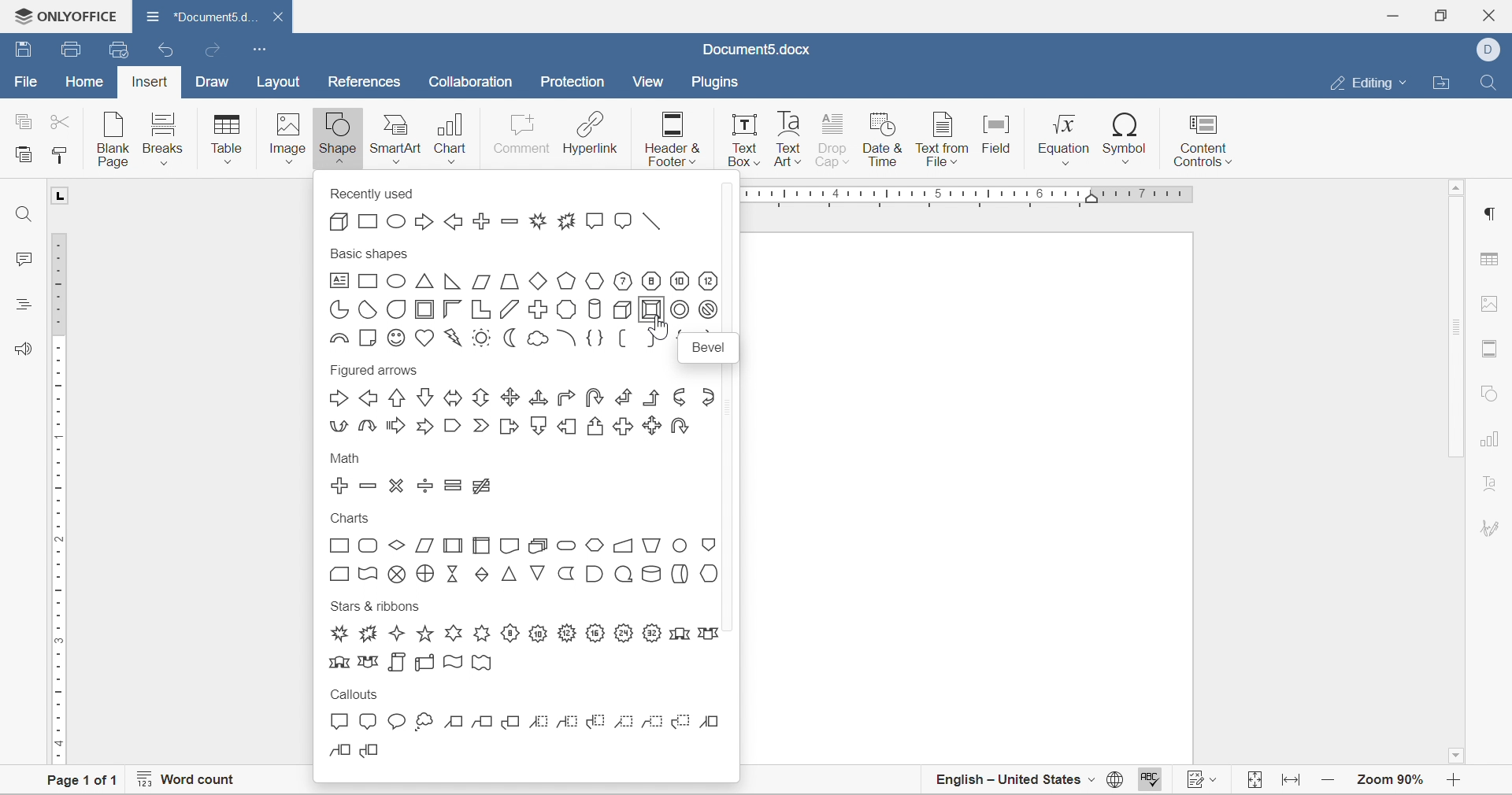 This screenshot has height=795, width=1512. Describe the element at coordinates (1492, 15) in the screenshot. I see `close` at that location.